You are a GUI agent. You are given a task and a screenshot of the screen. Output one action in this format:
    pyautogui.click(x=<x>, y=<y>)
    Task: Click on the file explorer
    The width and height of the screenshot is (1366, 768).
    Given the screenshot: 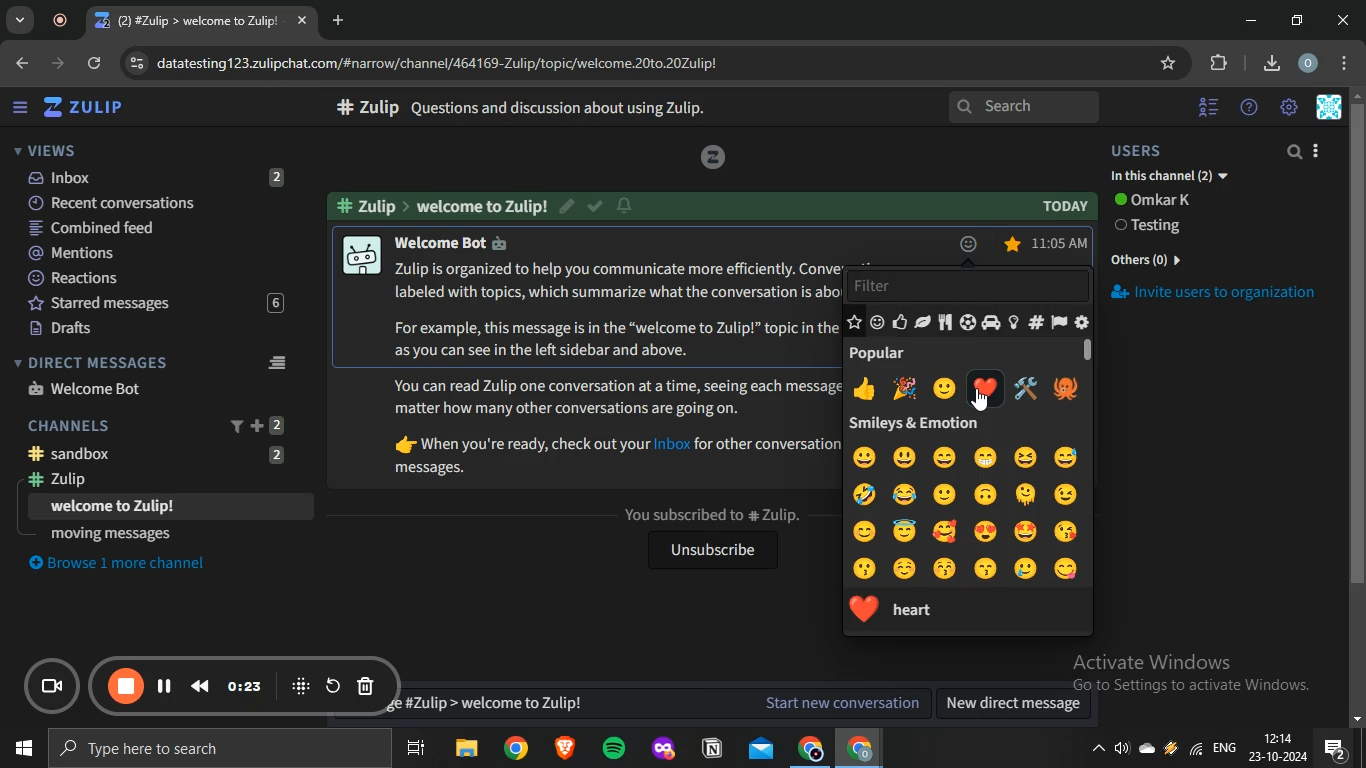 What is the action you would take?
    pyautogui.click(x=468, y=750)
    